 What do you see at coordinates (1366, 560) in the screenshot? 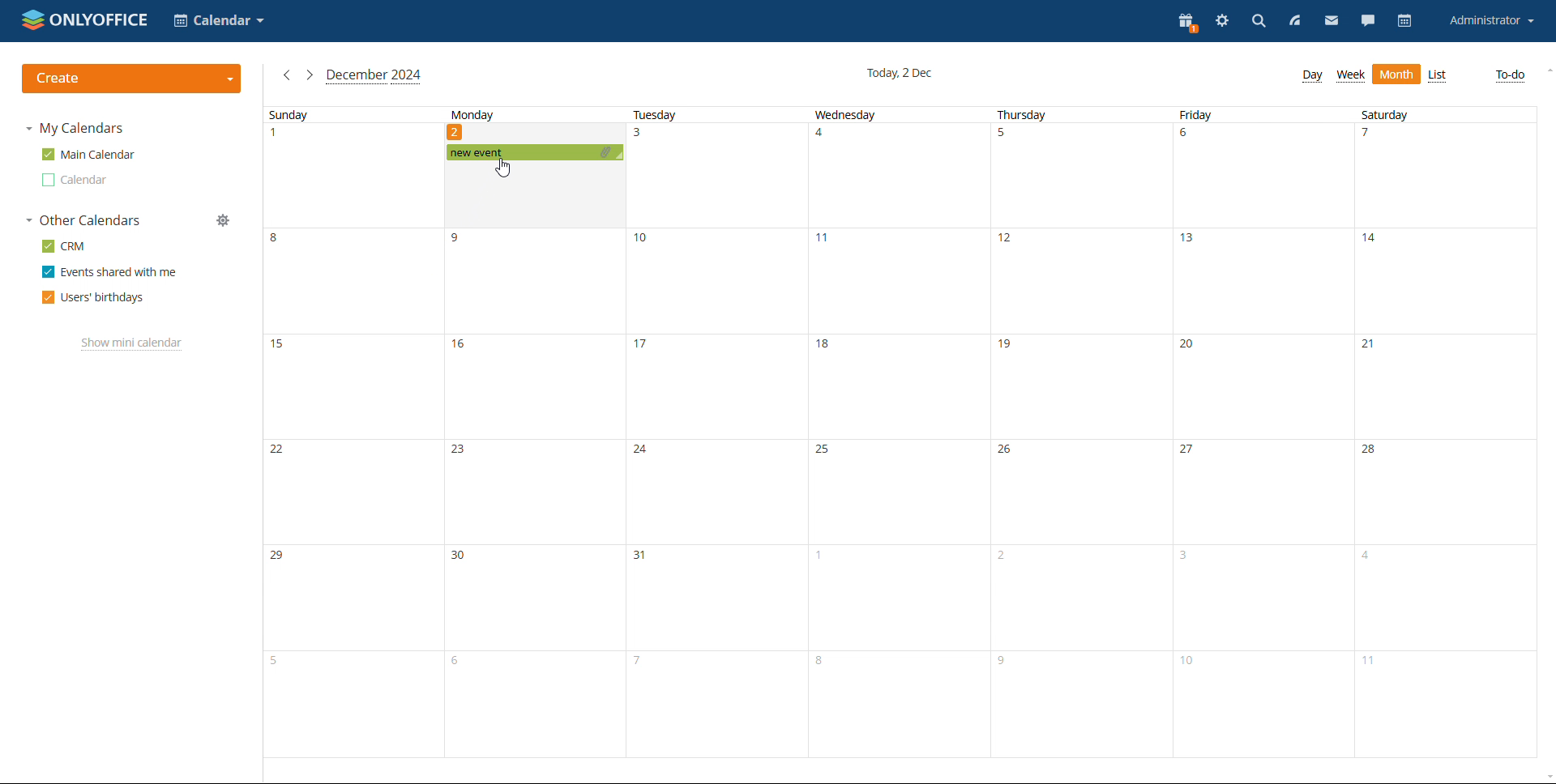
I see `4` at bounding box center [1366, 560].